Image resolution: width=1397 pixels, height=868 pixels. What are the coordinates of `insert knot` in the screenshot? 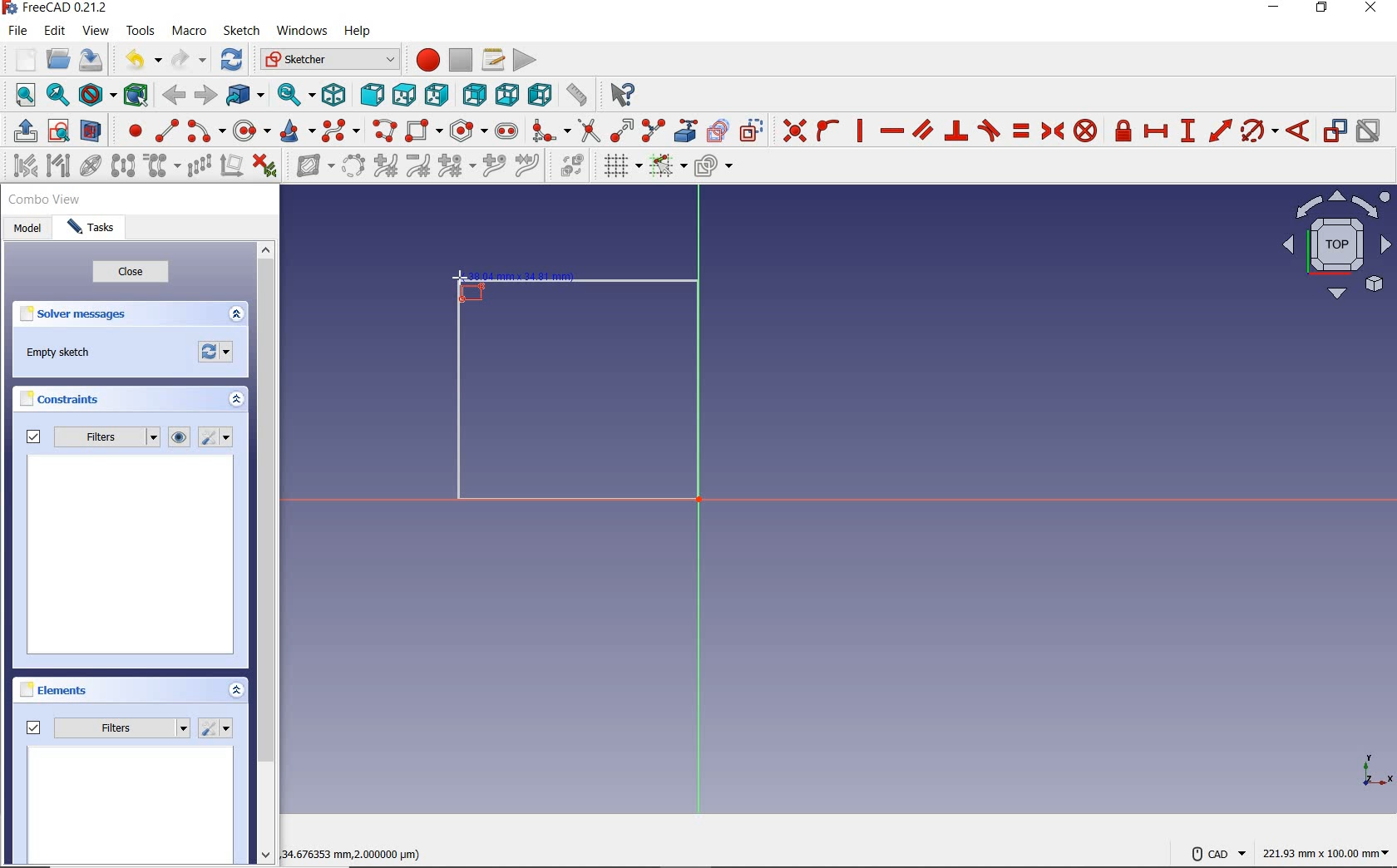 It's located at (496, 168).